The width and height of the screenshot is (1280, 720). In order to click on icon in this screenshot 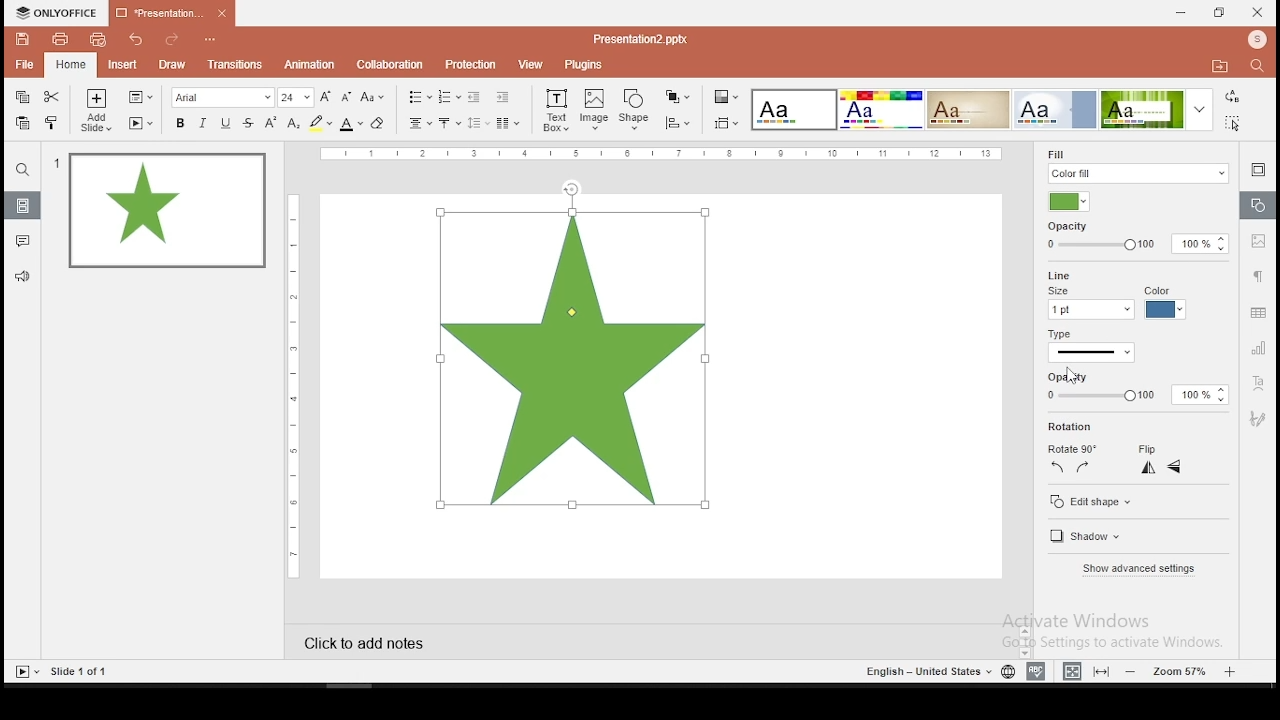, I will do `click(57, 13)`.